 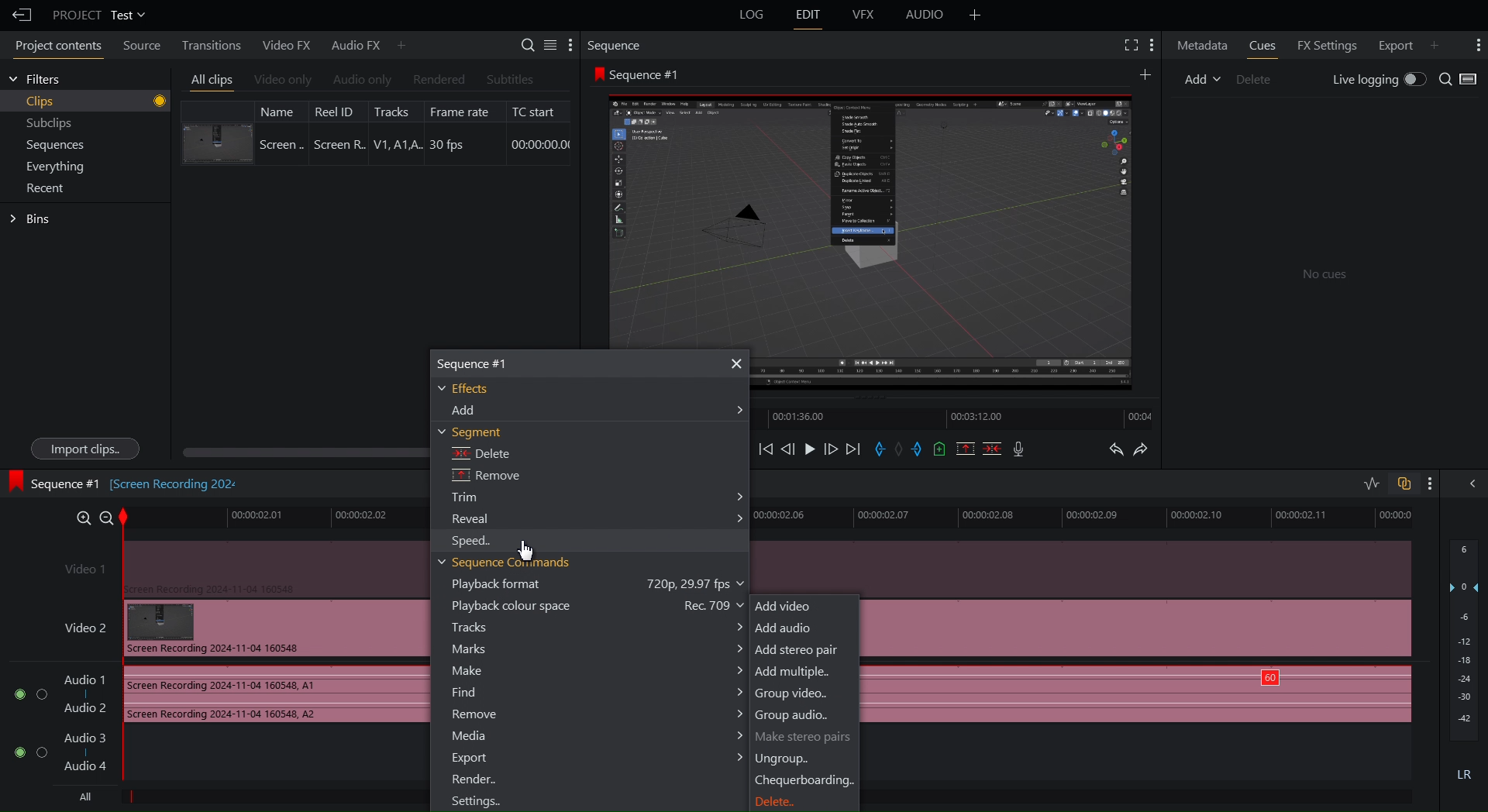 I want to click on Subclips, so click(x=50, y=126).